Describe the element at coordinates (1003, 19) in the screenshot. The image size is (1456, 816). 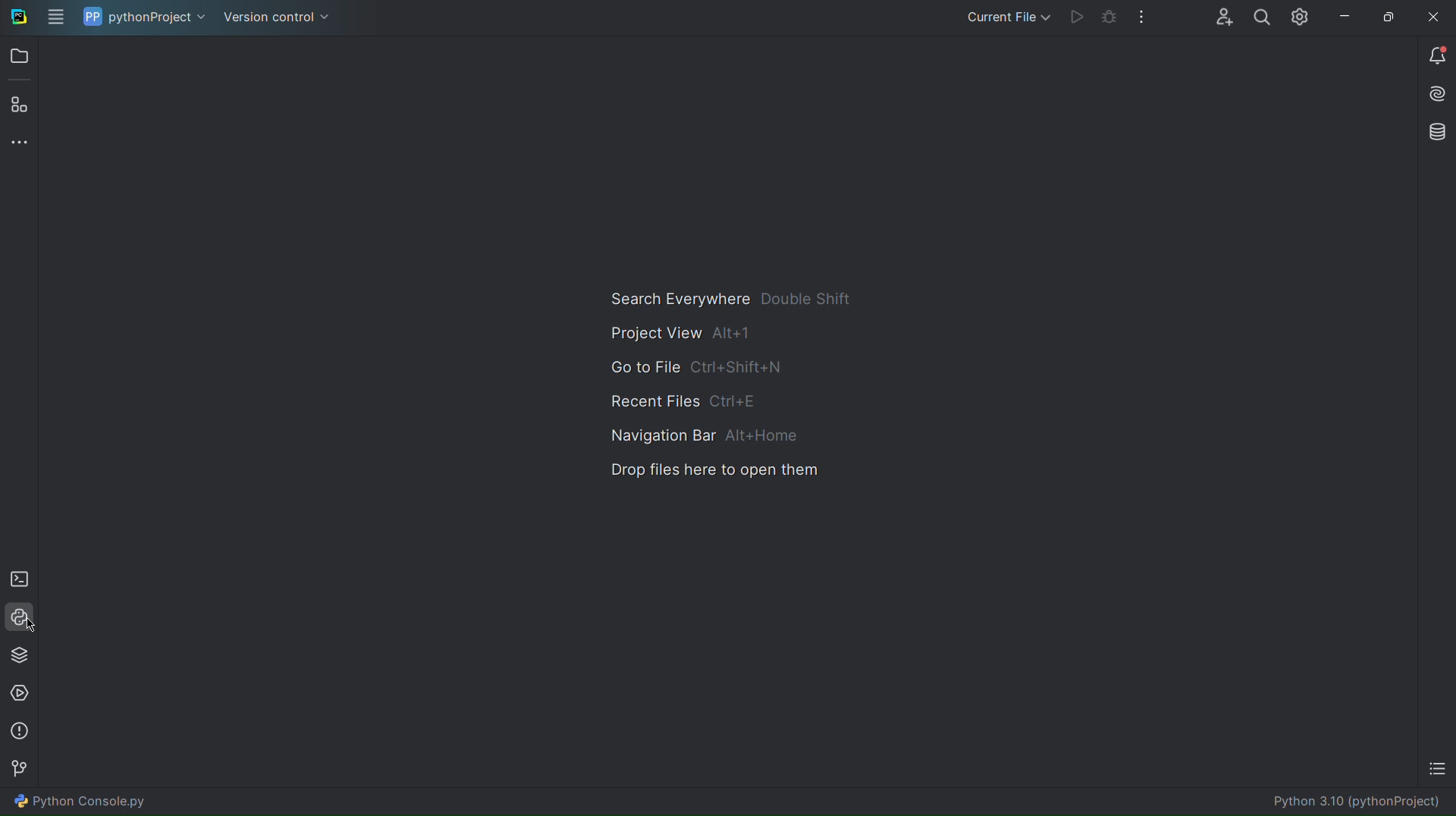
I see `Current File` at that location.